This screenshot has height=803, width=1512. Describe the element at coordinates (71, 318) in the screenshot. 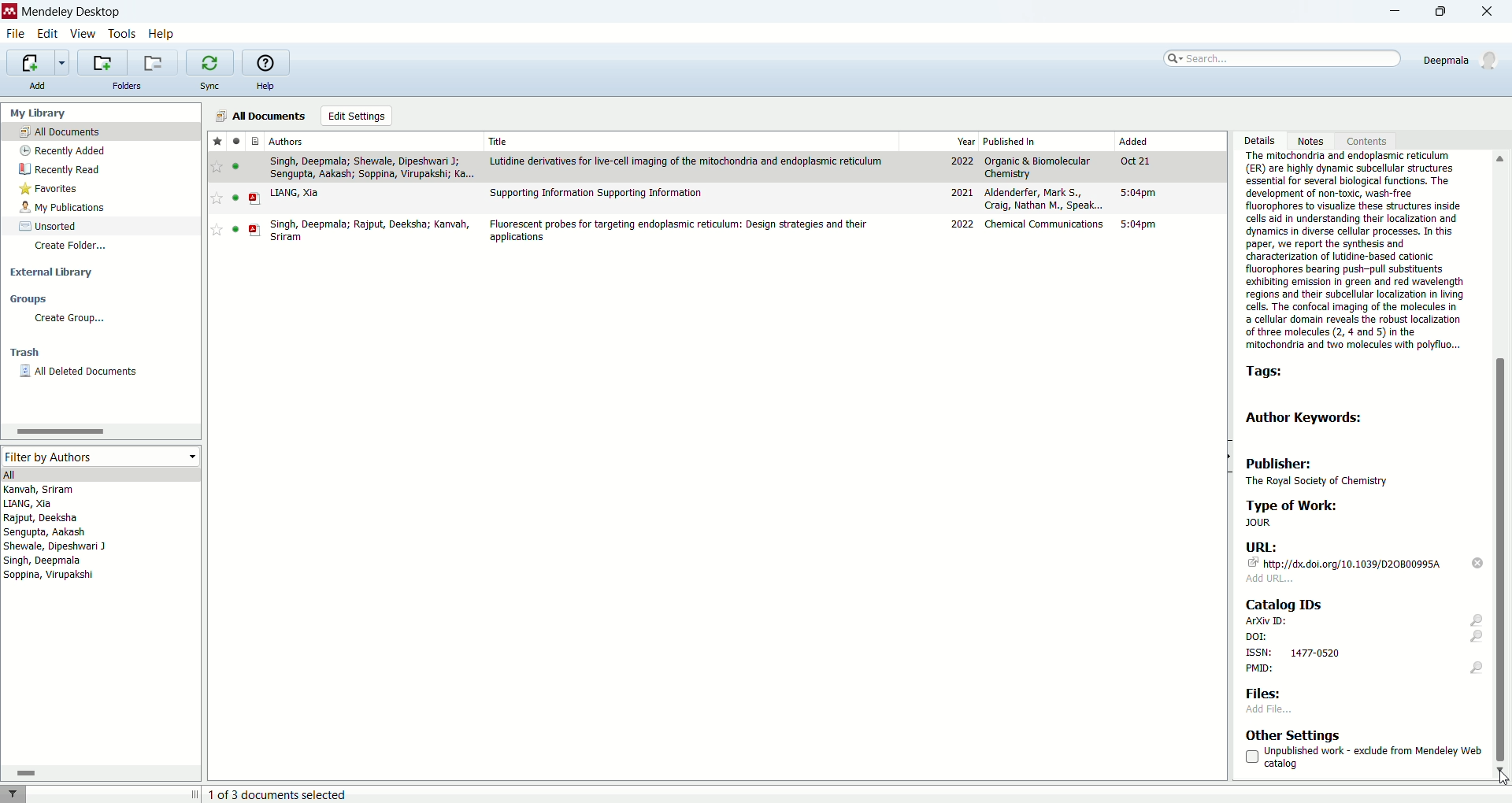

I see `create group` at that location.